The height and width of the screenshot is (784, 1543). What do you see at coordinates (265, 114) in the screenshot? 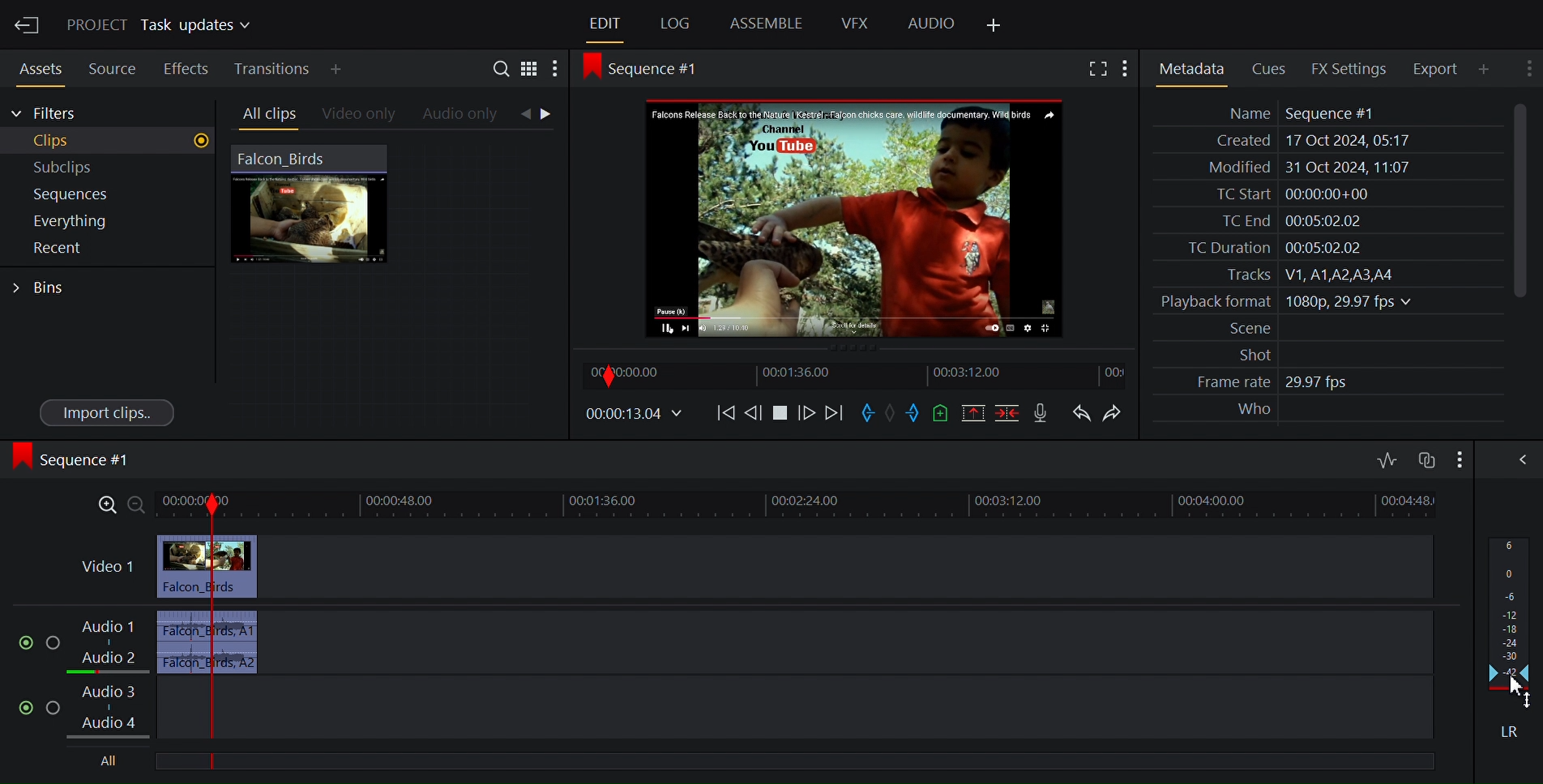
I see `All clips` at bounding box center [265, 114].